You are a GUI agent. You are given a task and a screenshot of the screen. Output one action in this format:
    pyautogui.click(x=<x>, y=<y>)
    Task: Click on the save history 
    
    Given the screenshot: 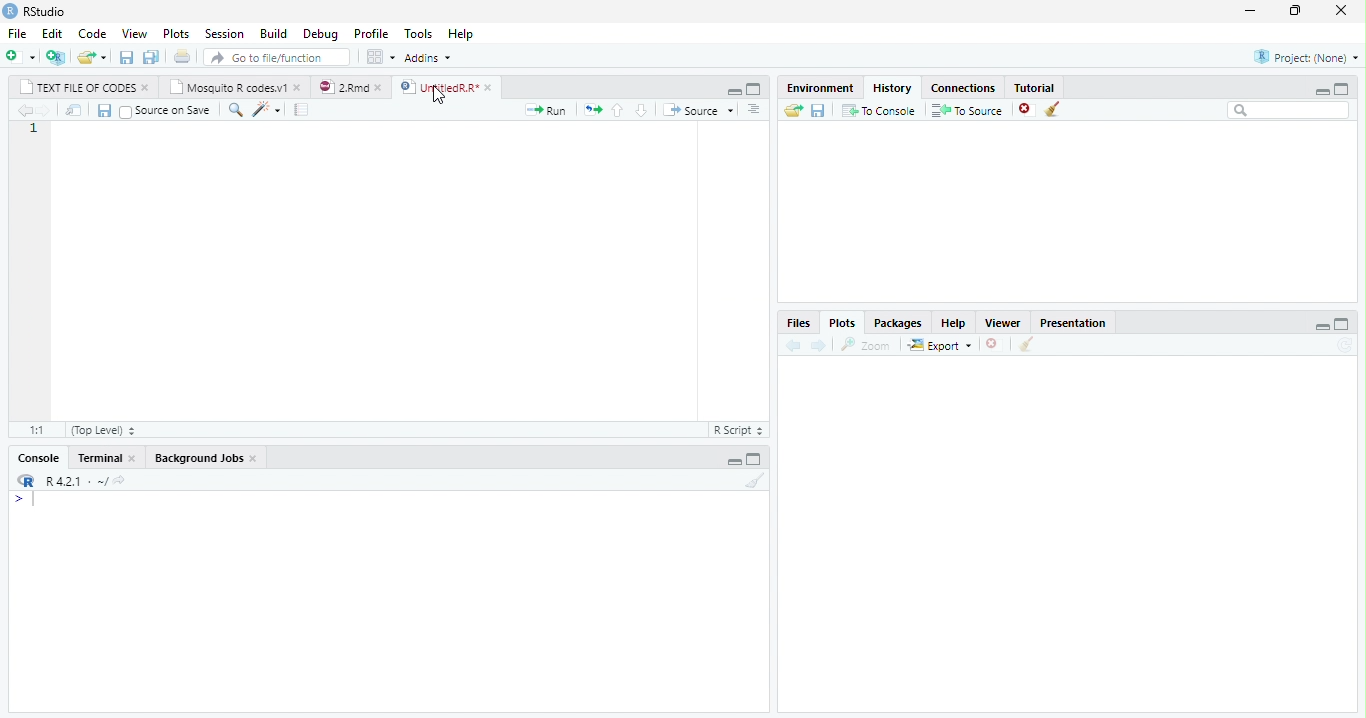 What is the action you would take?
    pyautogui.click(x=817, y=110)
    